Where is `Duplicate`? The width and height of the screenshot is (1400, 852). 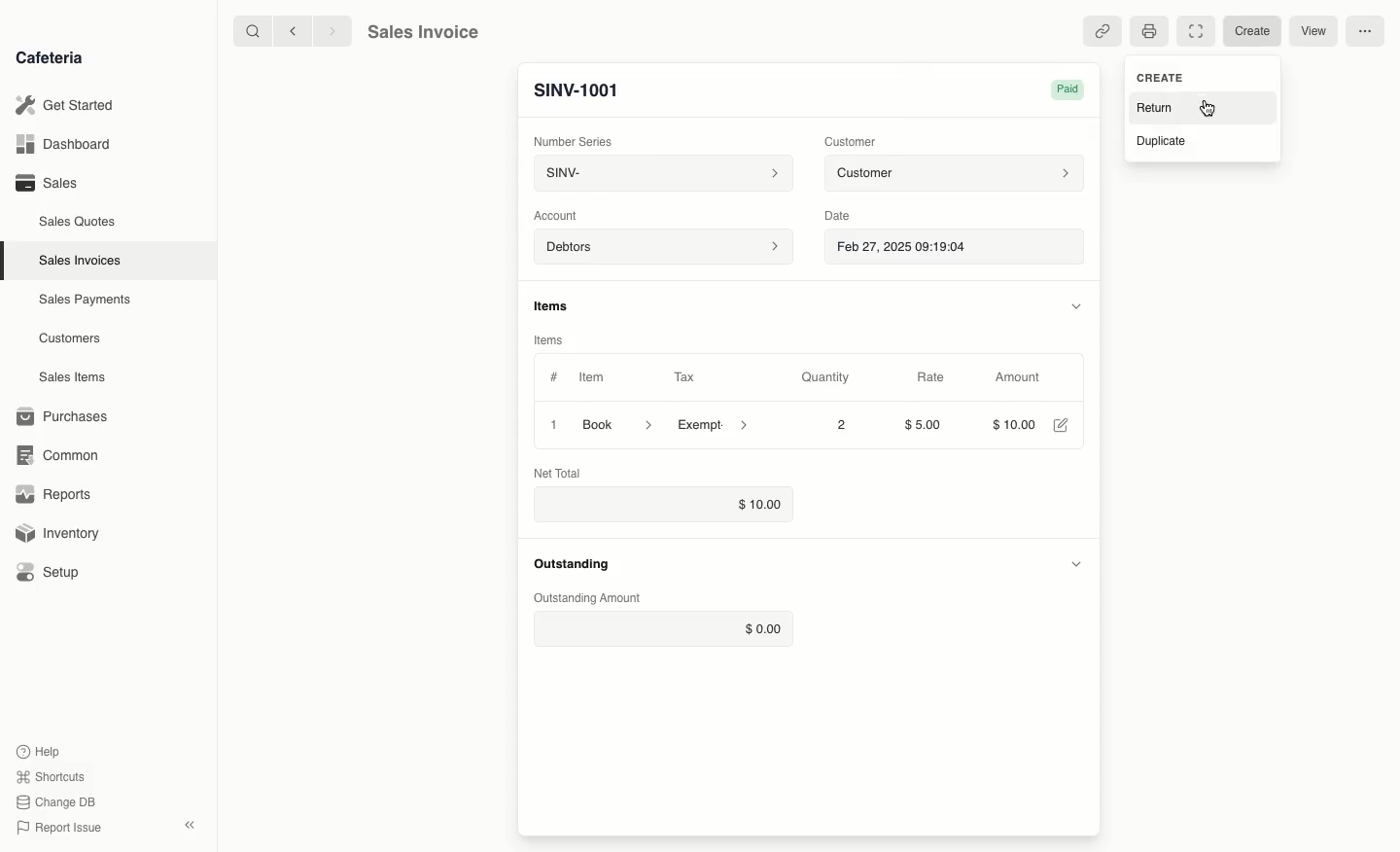 Duplicate is located at coordinates (1160, 144).